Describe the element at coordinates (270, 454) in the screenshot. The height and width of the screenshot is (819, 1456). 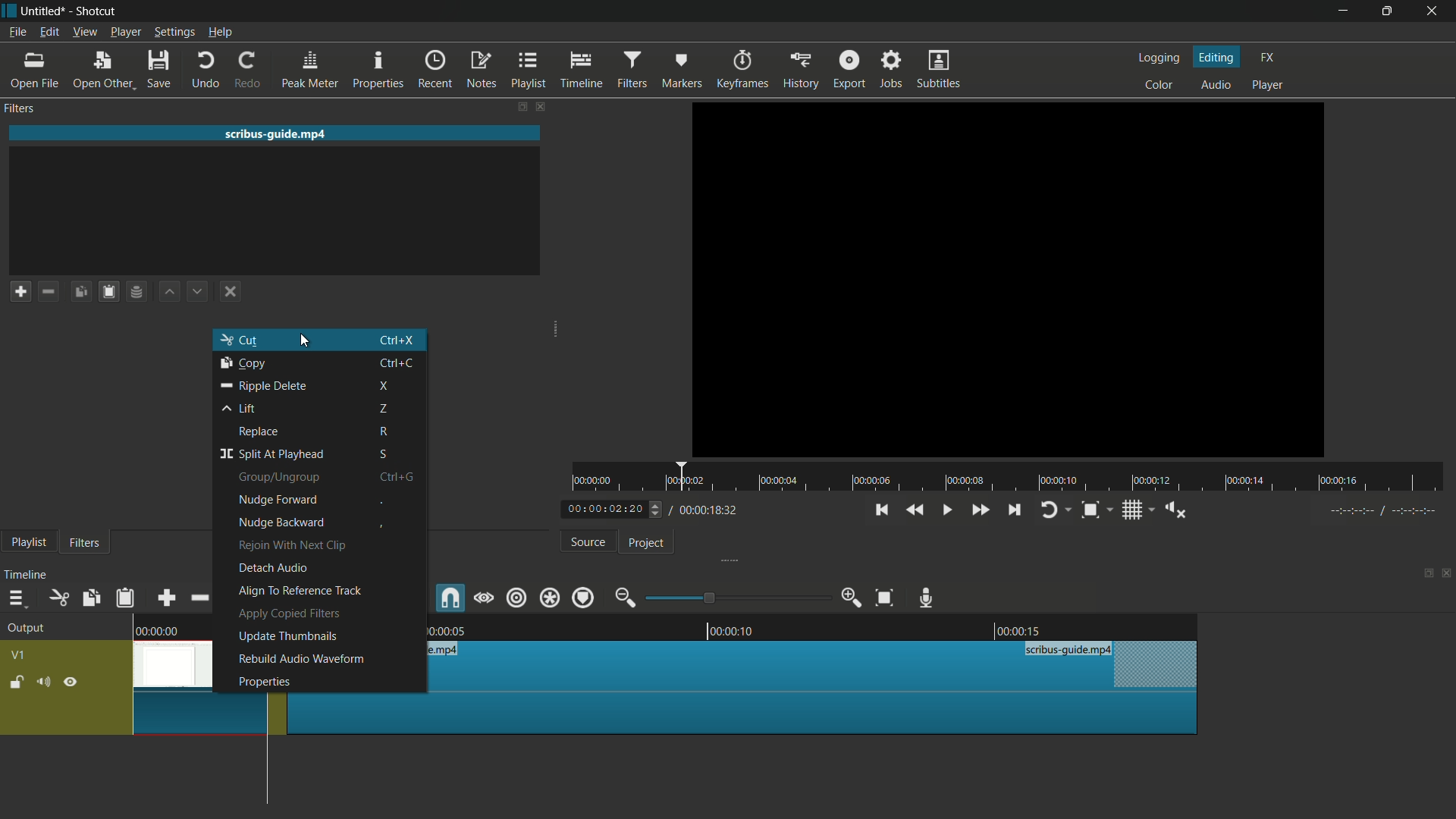
I see `split at playhead` at that location.